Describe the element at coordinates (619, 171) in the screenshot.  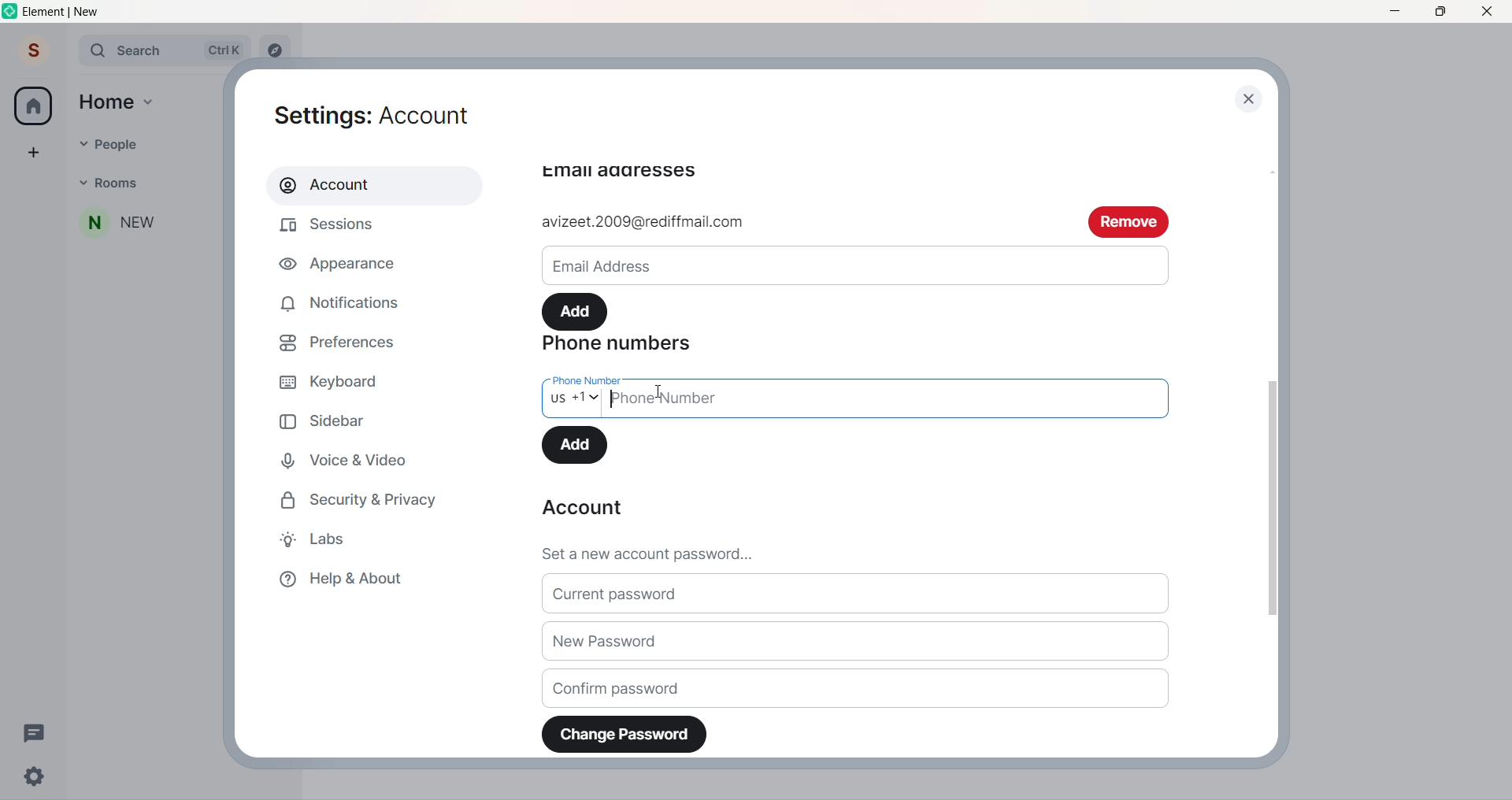
I see `email adressess` at that location.